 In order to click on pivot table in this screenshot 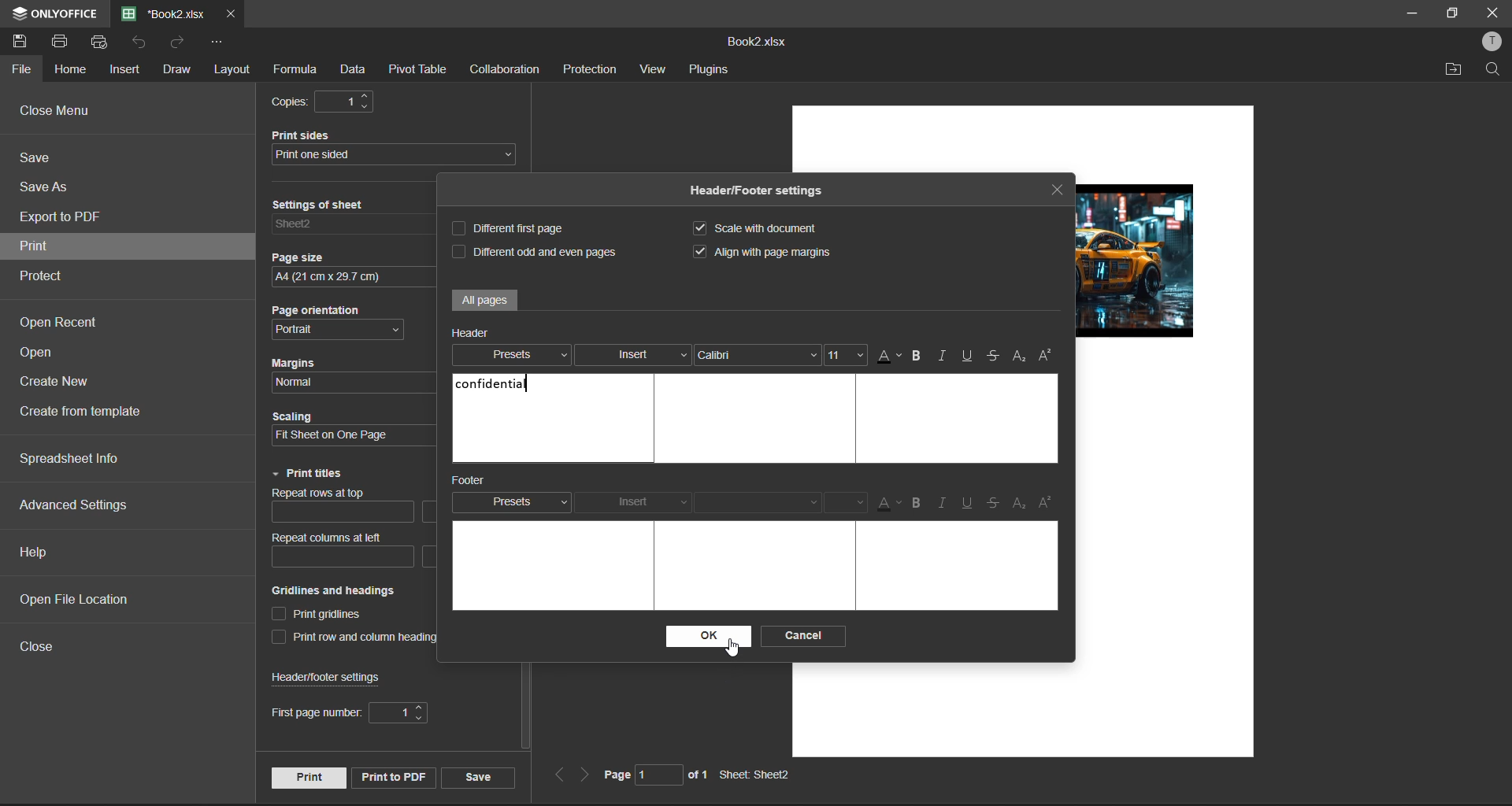, I will do `click(419, 72)`.